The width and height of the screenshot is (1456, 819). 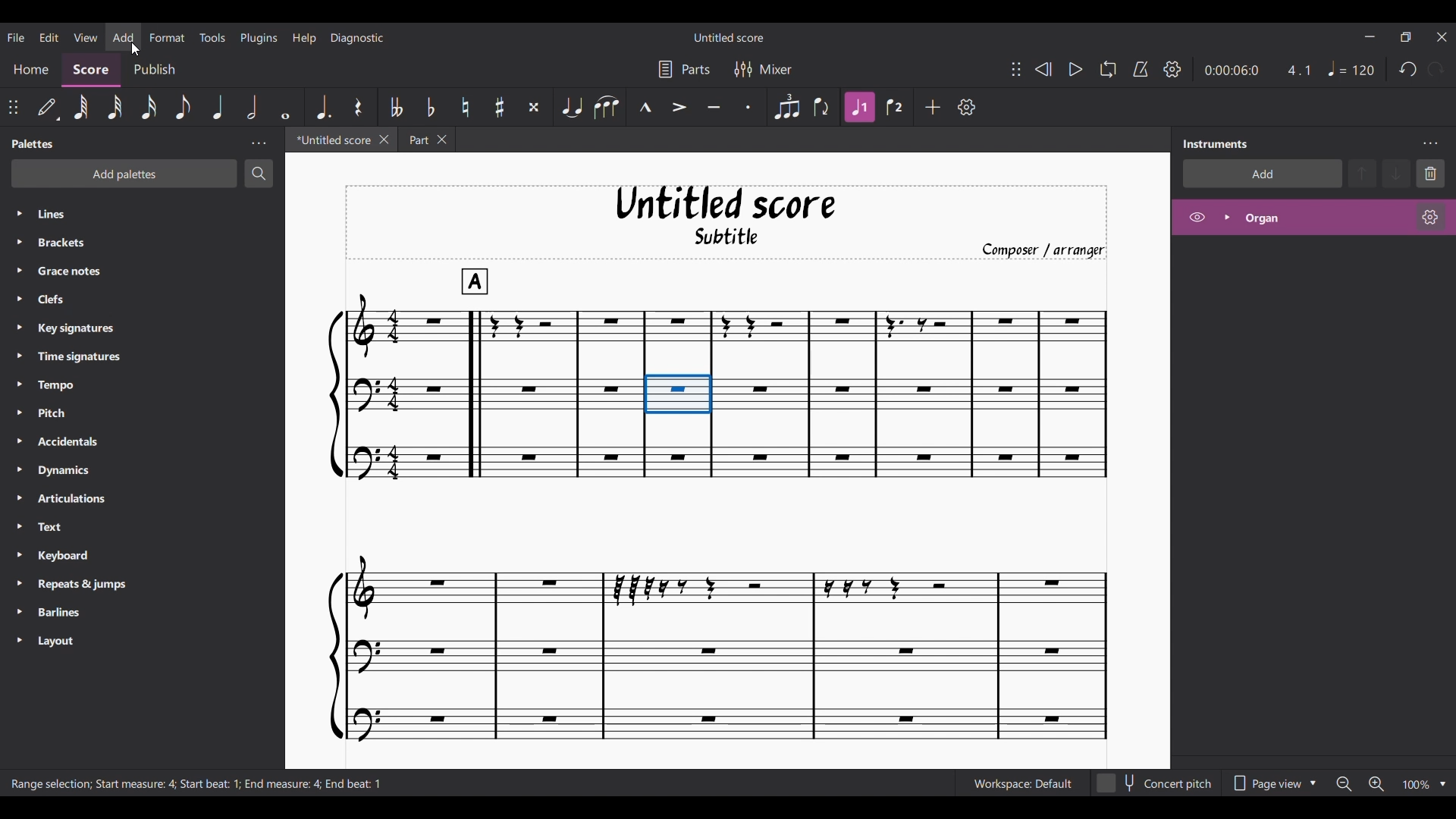 What do you see at coordinates (1214, 143) in the screenshot?
I see `Panel title` at bounding box center [1214, 143].